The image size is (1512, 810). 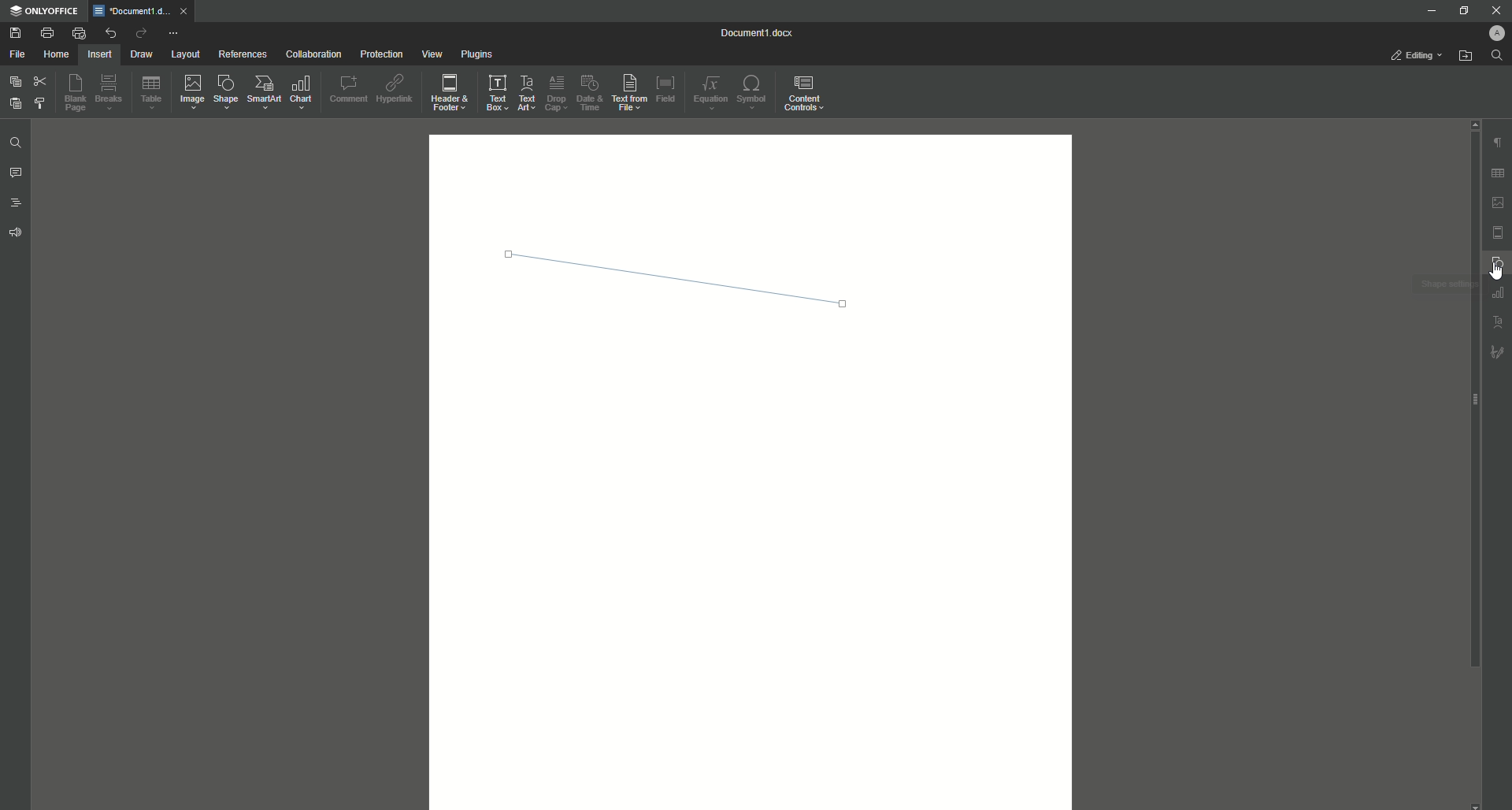 I want to click on Insert, so click(x=98, y=54).